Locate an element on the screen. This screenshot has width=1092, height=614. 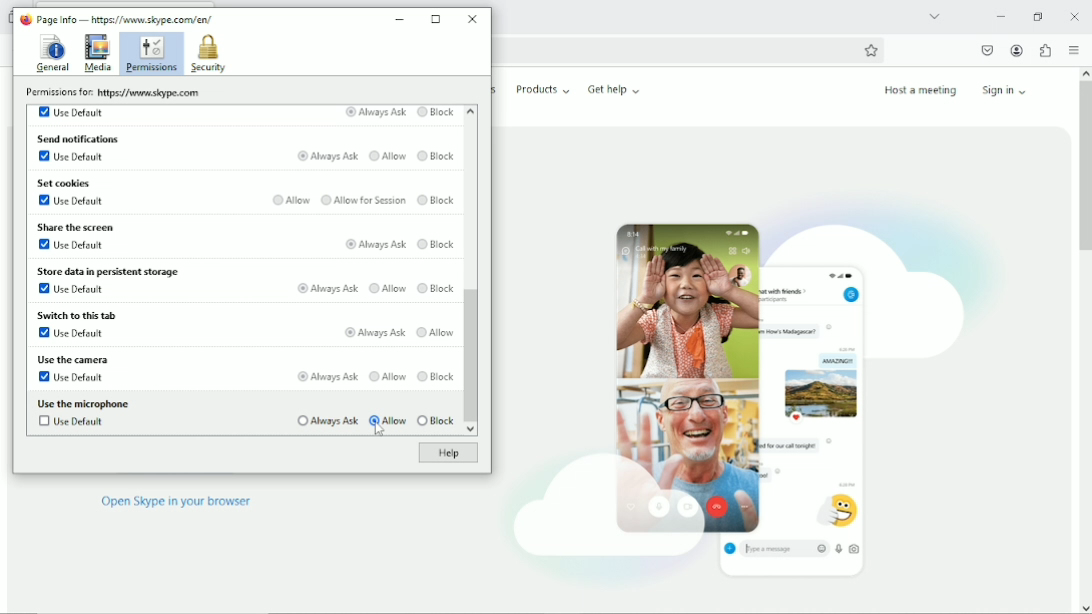
Vertical scrollbar is located at coordinates (471, 356).